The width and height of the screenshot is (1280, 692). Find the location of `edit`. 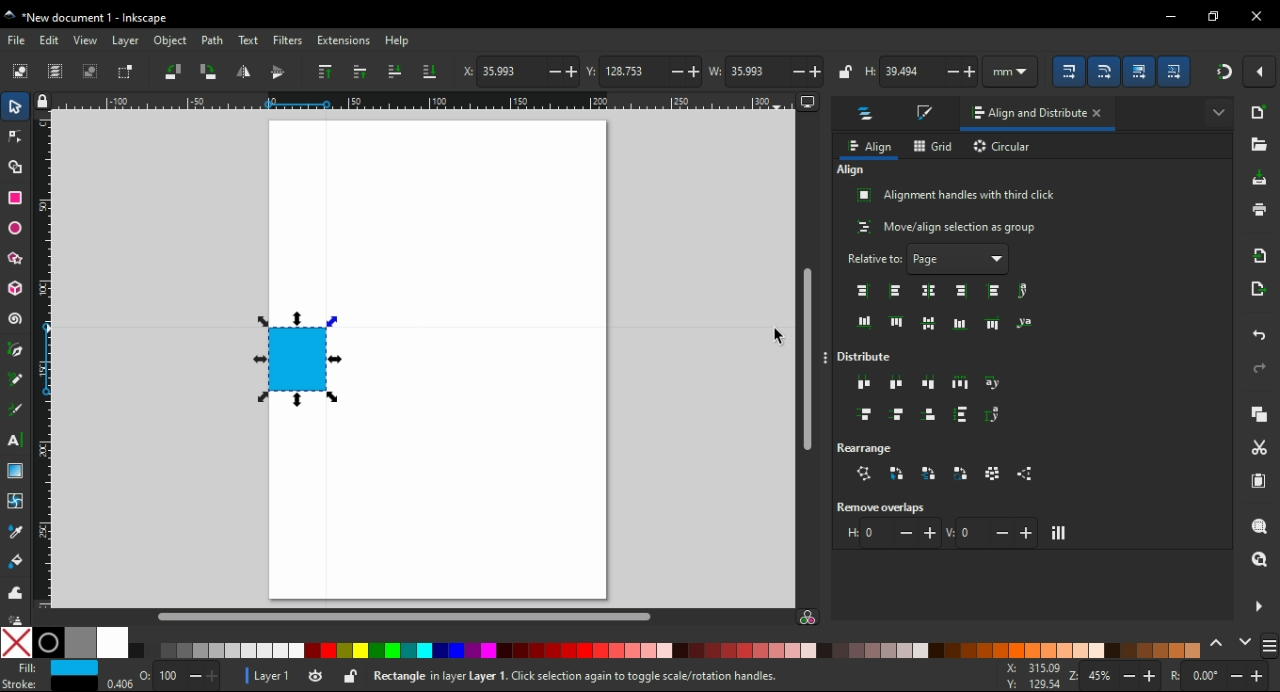

edit is located at coordinates (51, 40).